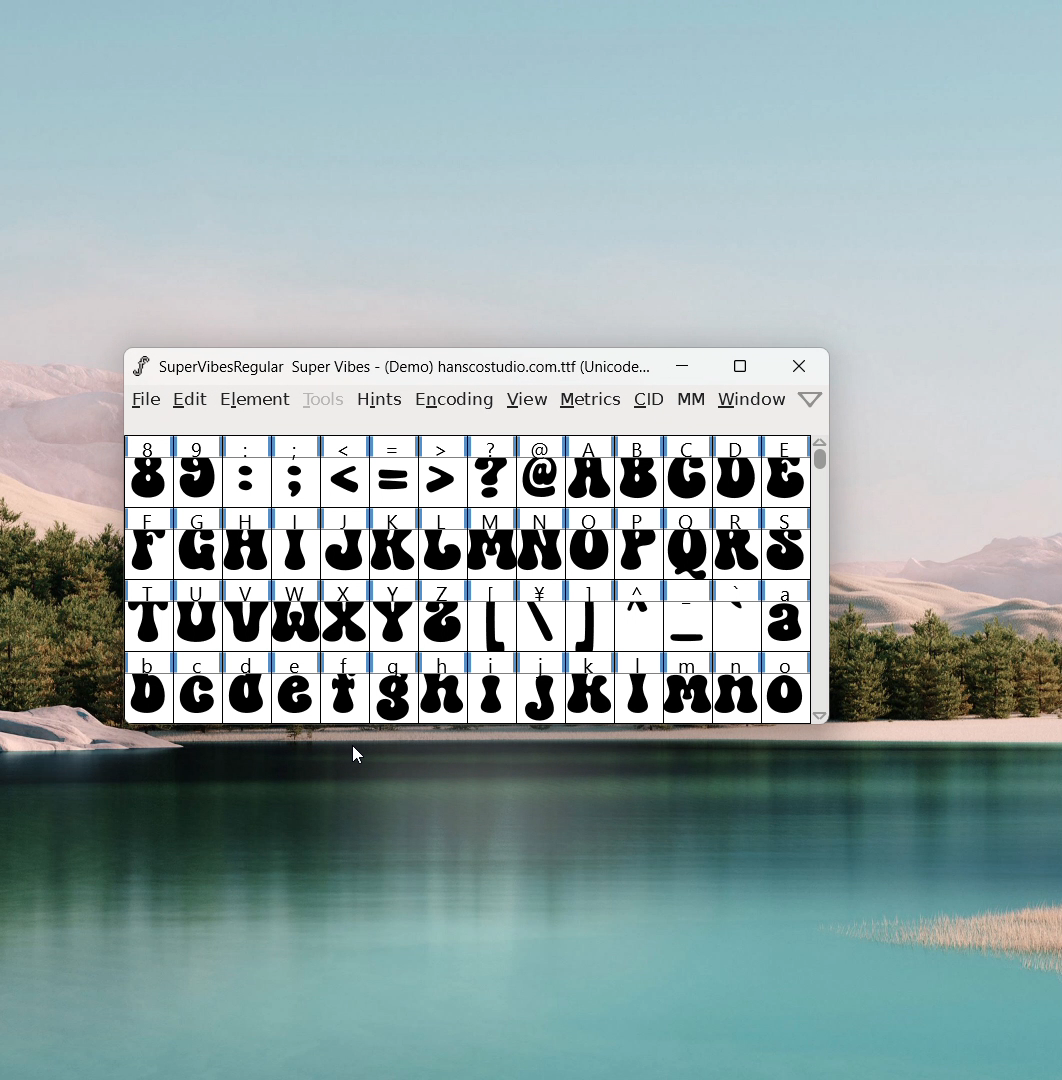  Describe the element at coordinates (591, 472) in the screenshot. I see `A` at that location.